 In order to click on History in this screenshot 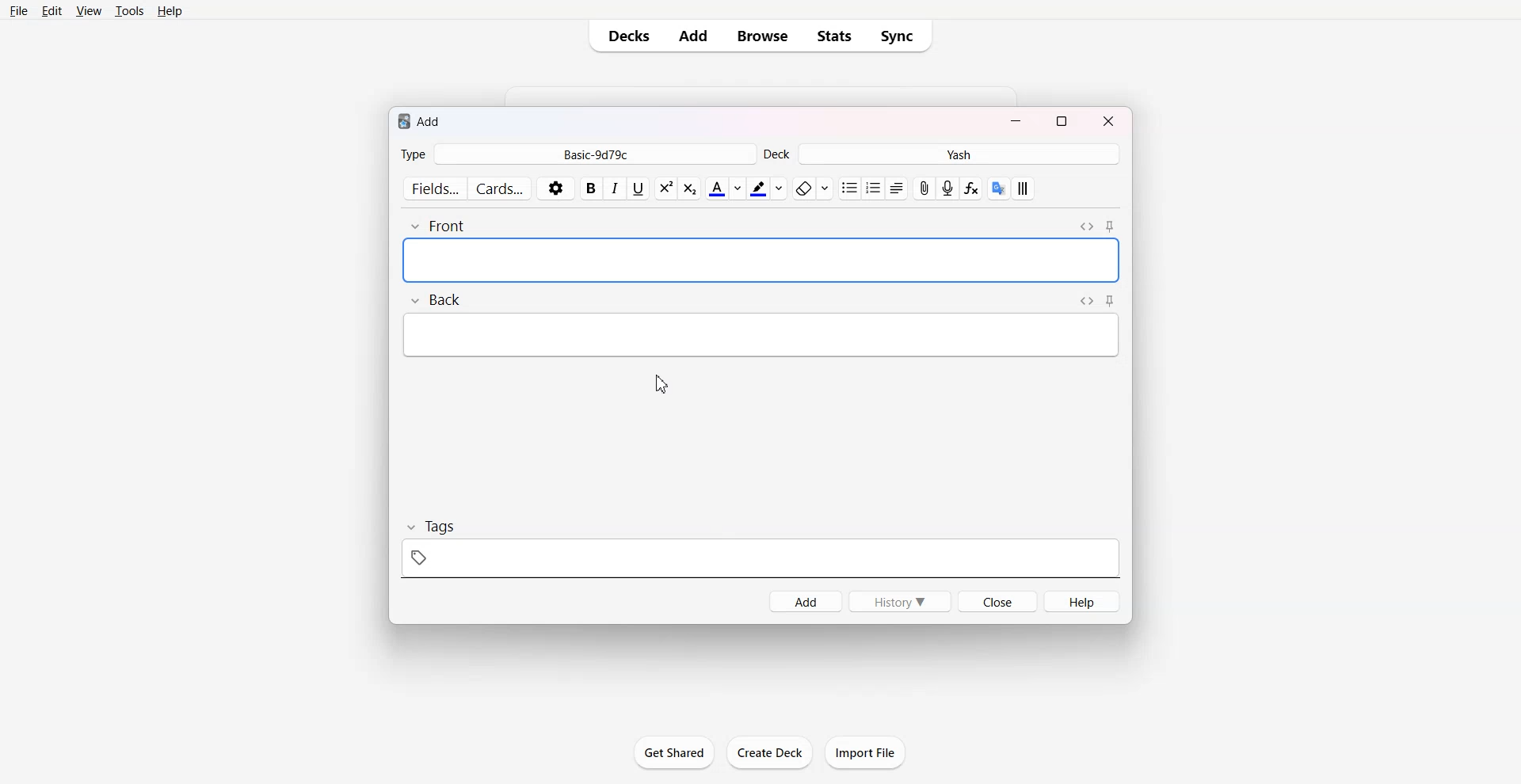, I will do `click(901, 601)`.